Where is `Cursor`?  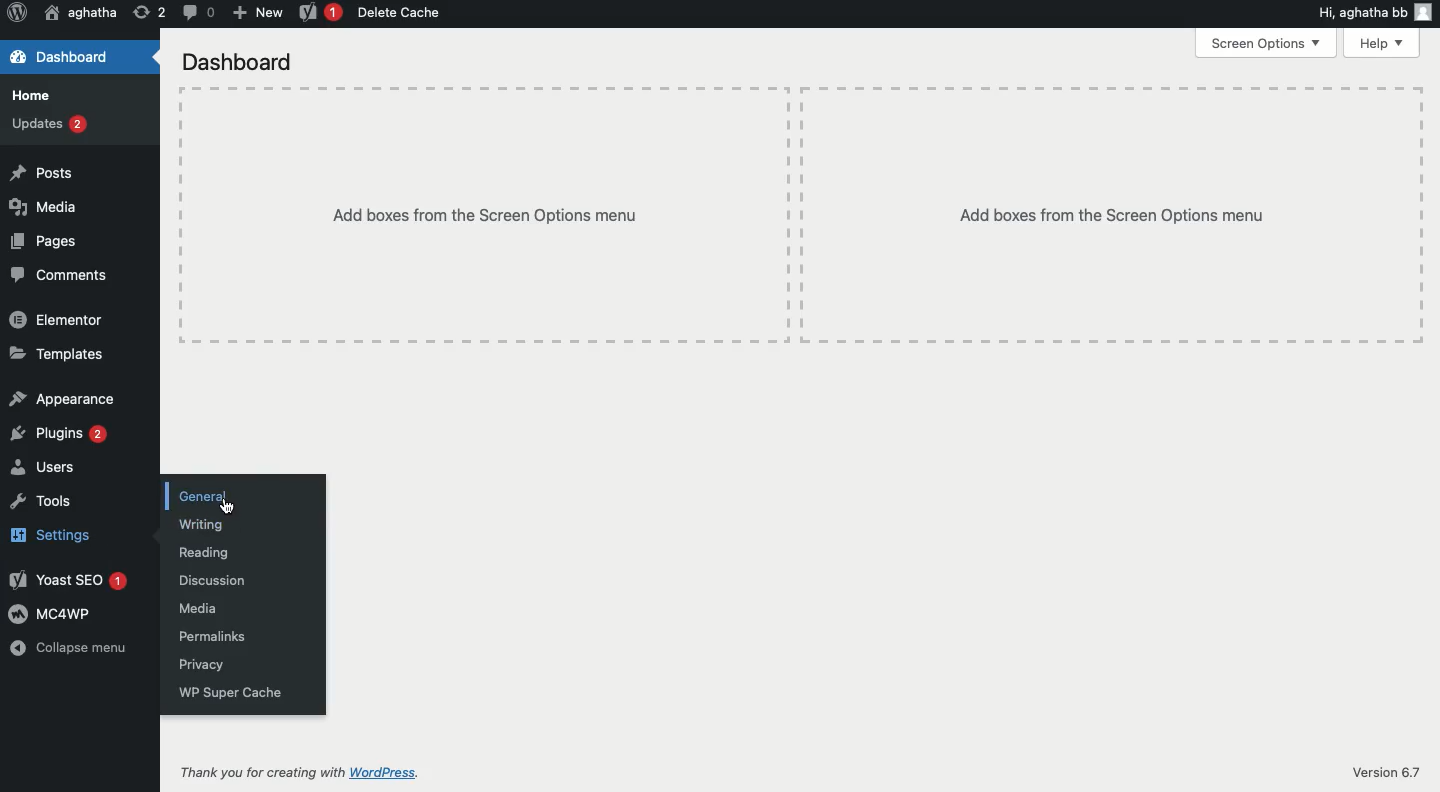 Cursor is located at coordinates (226, 508).